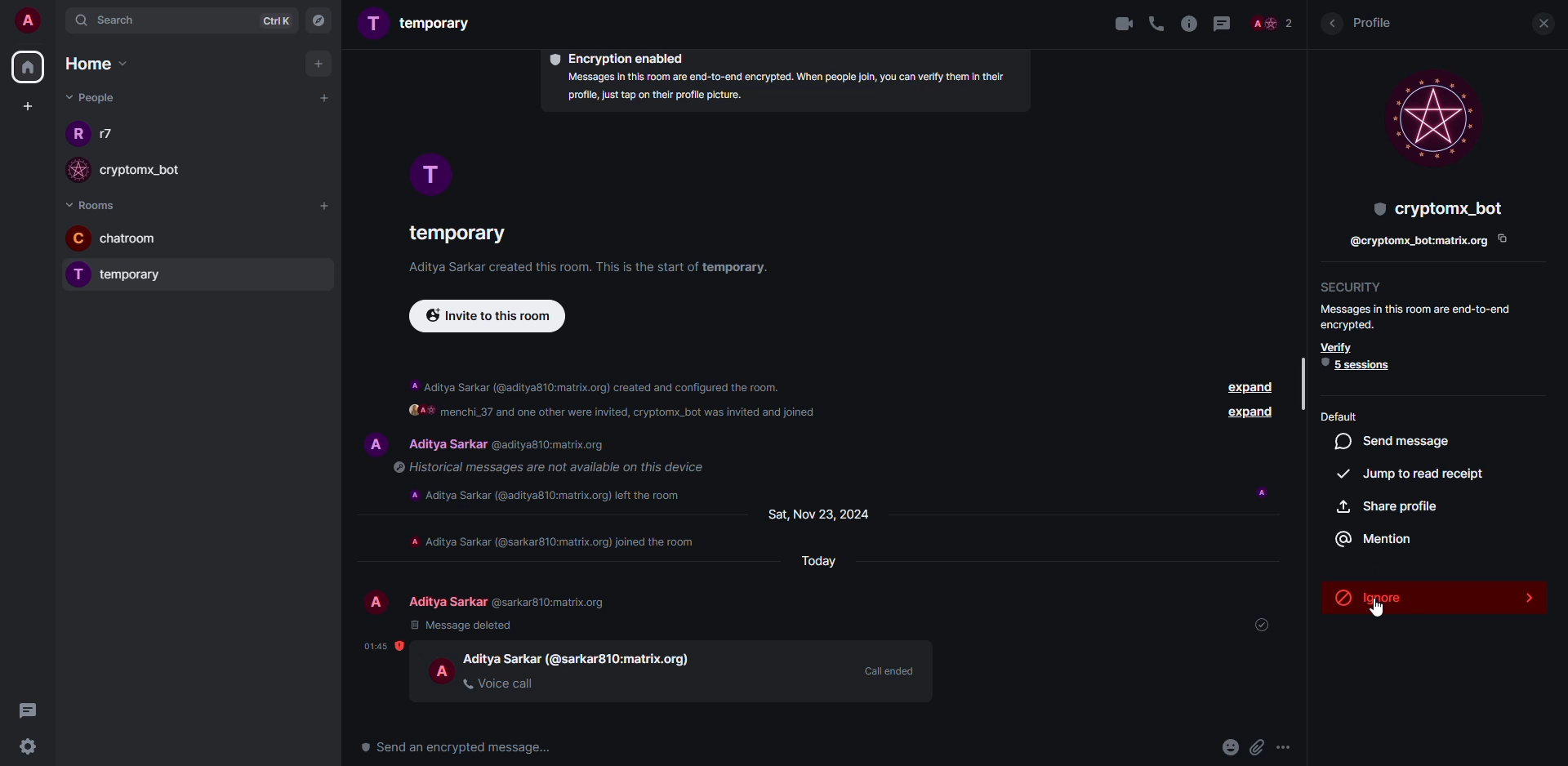  I want to click on video call, so click(1116, 23).